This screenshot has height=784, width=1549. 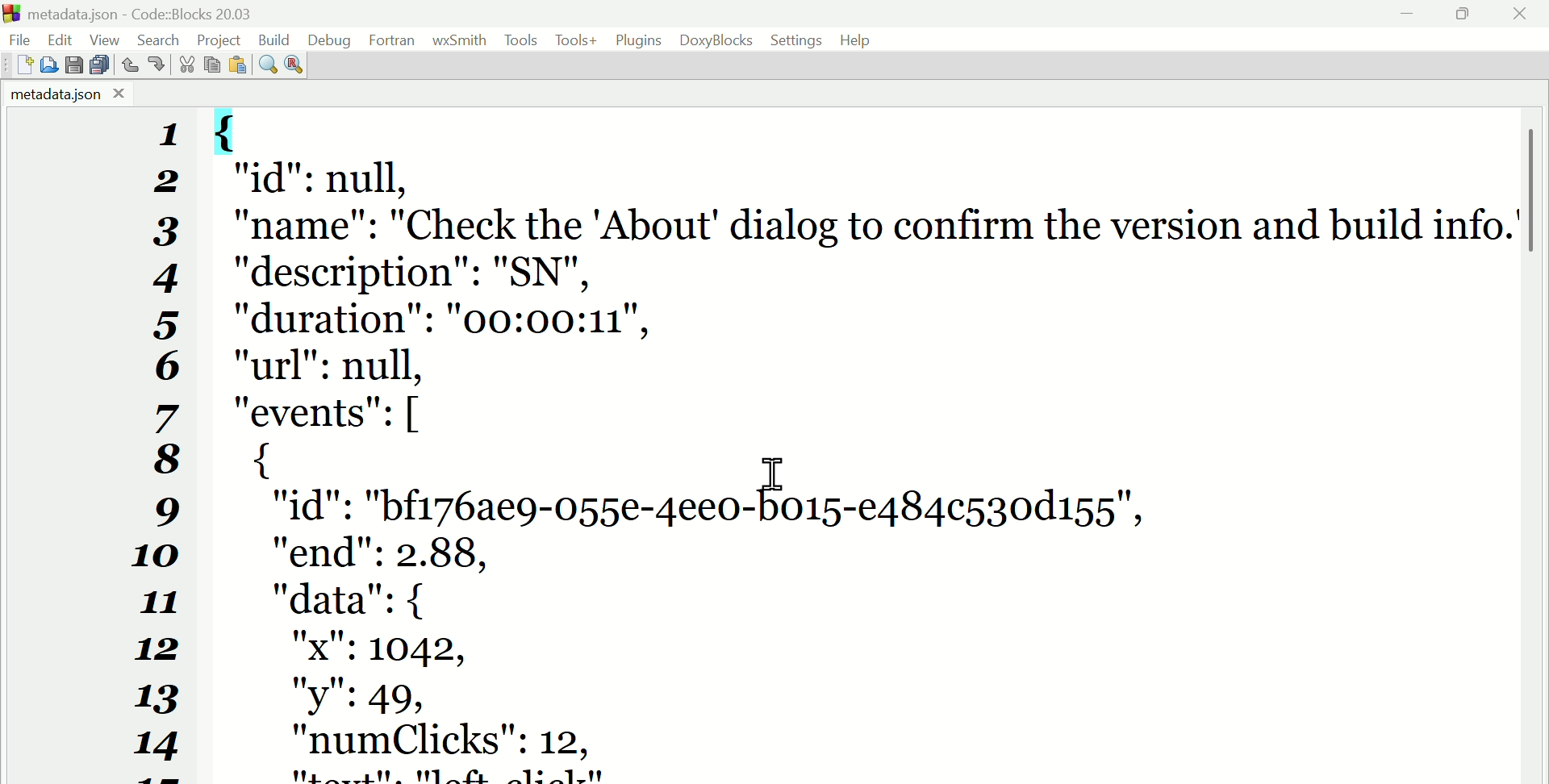 What do you see at coordinates (182, 65) in the screenshot?
I see `Cut` at bounding box center [182, 65].